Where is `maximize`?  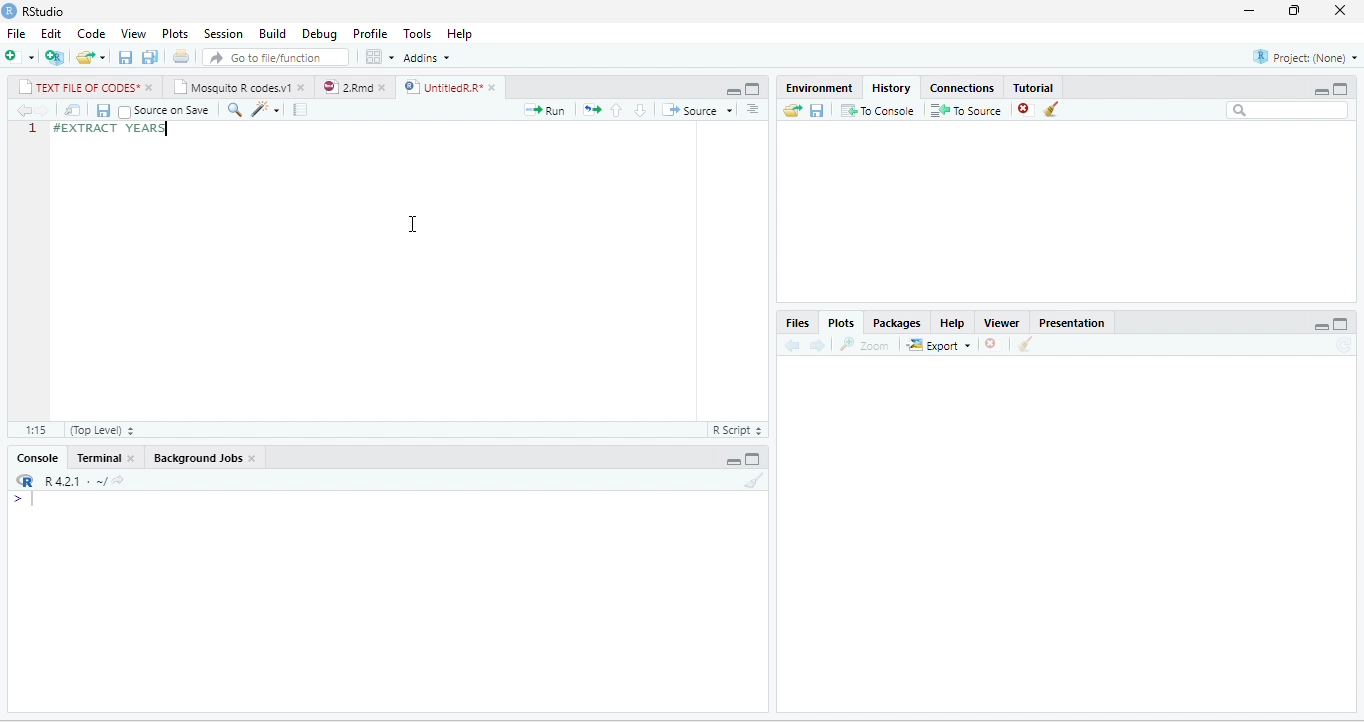
maximize is located at coordinates (752, 458).